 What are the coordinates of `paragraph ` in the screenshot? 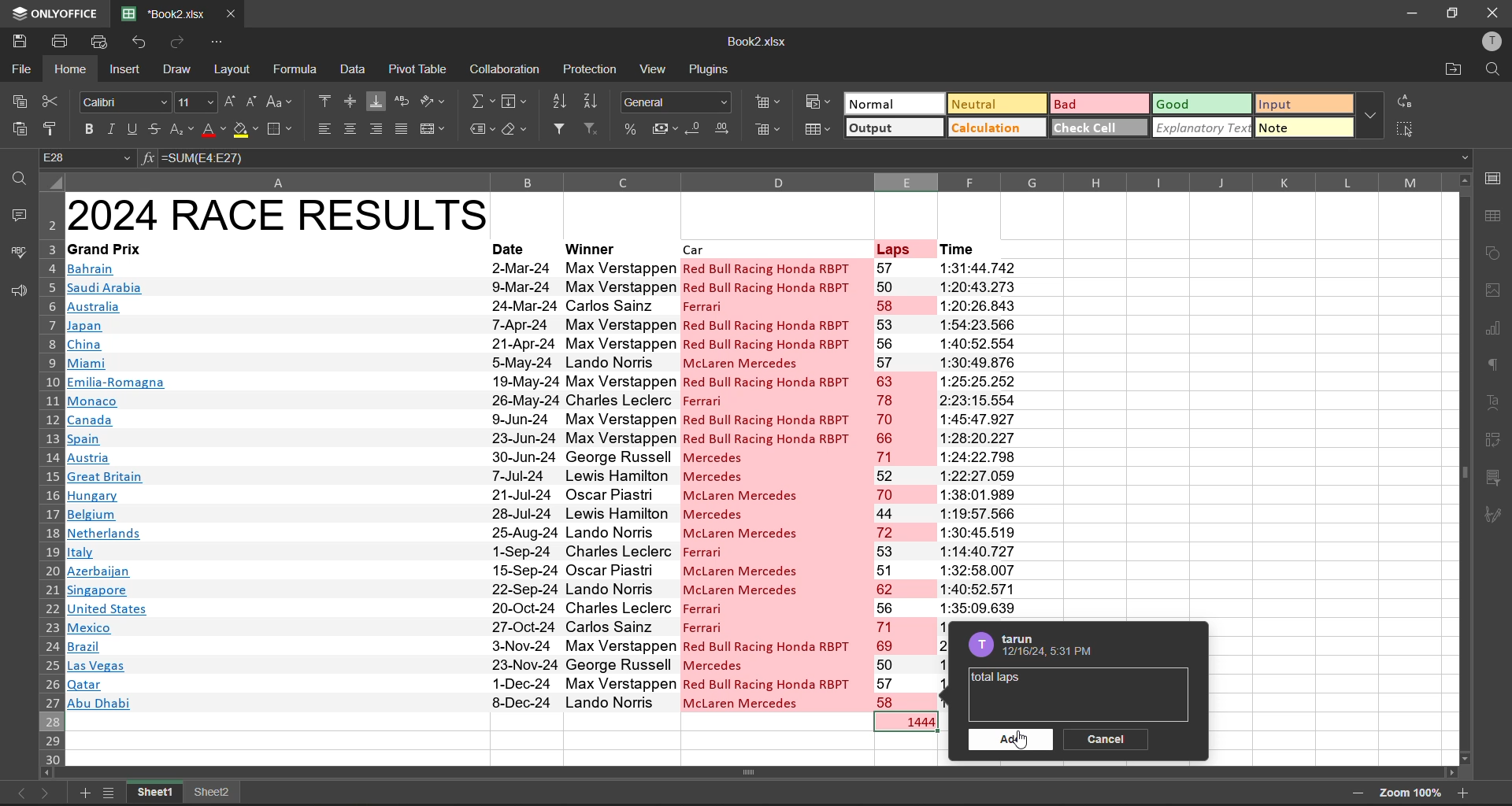 It's located at (1492, 367).